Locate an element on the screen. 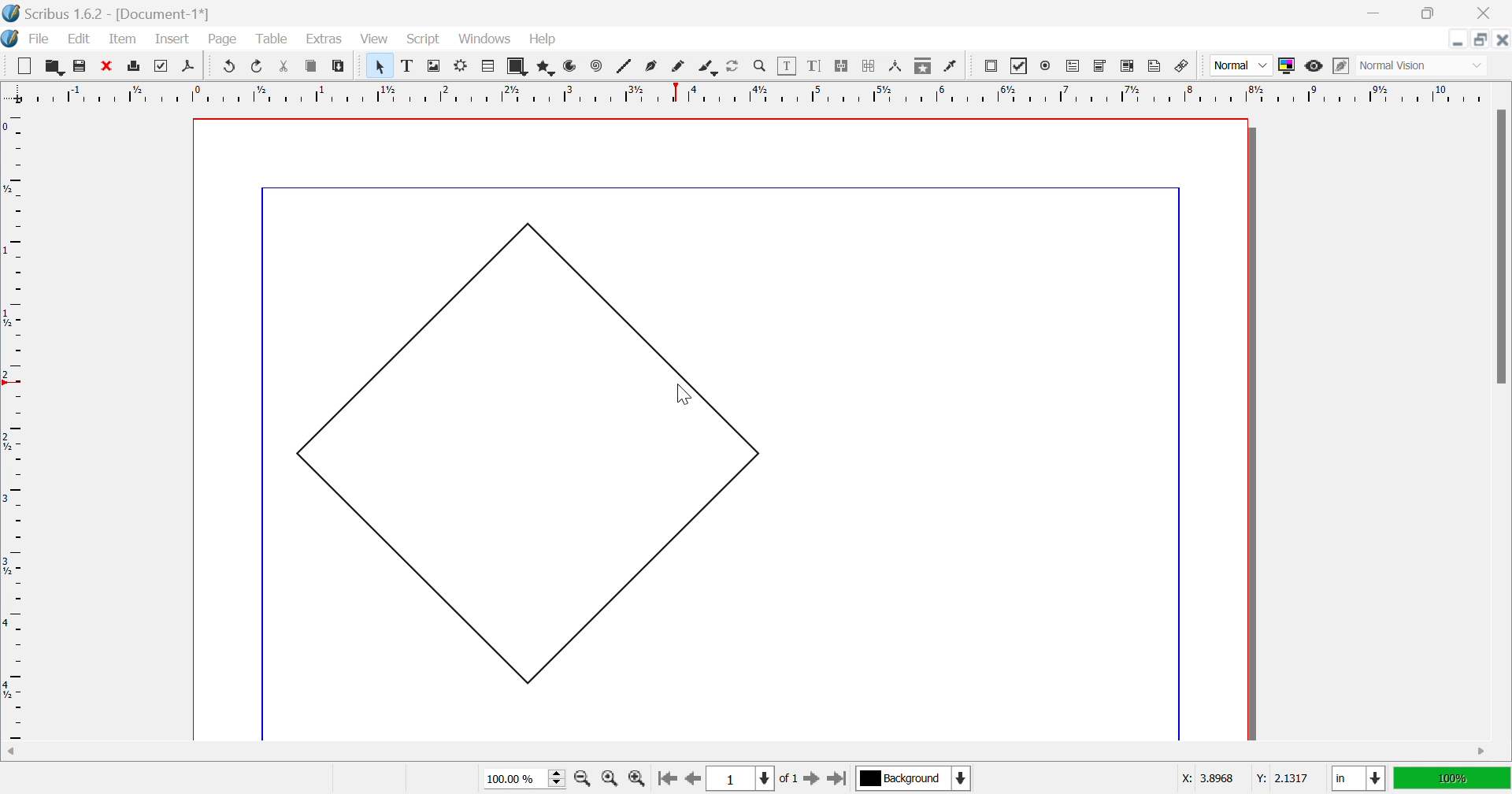  PDF text field is located at coordinates (1075, 67).